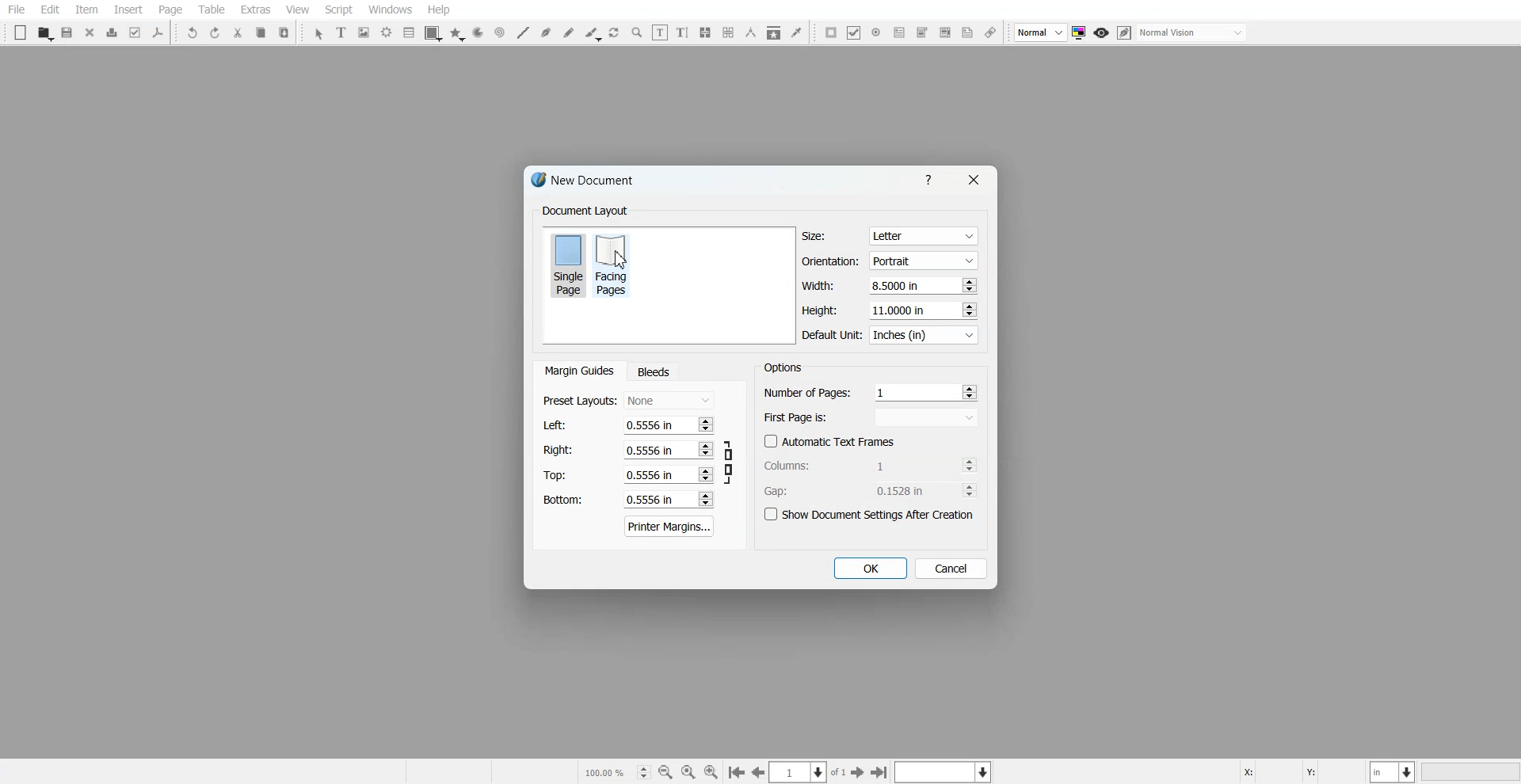 This screenshot has width=1521, height=784. I want to click on Unlink Text Frame, so click(729, 32).